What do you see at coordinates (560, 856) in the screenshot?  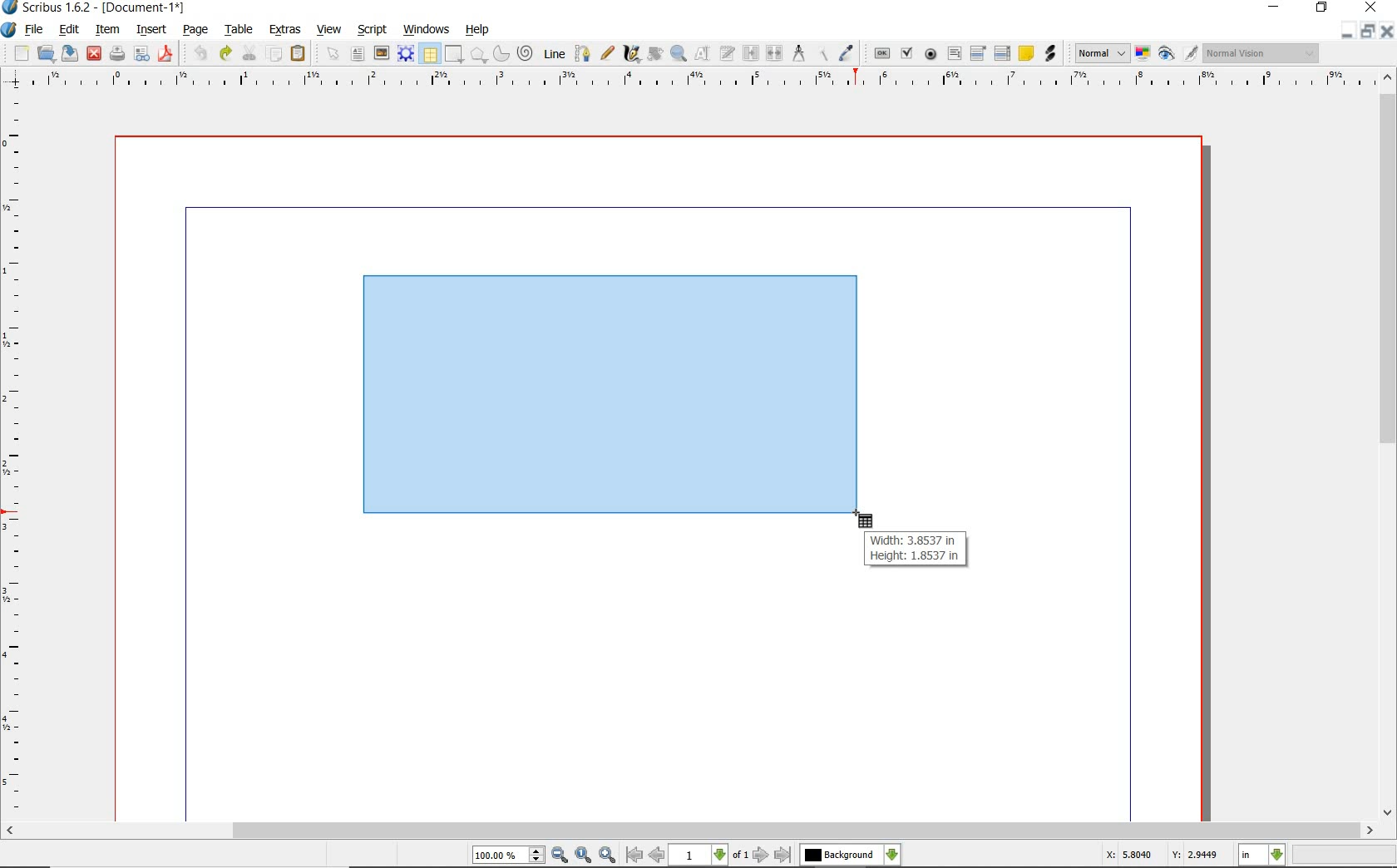 I see `zoom out` at bounding box center [560, 856].